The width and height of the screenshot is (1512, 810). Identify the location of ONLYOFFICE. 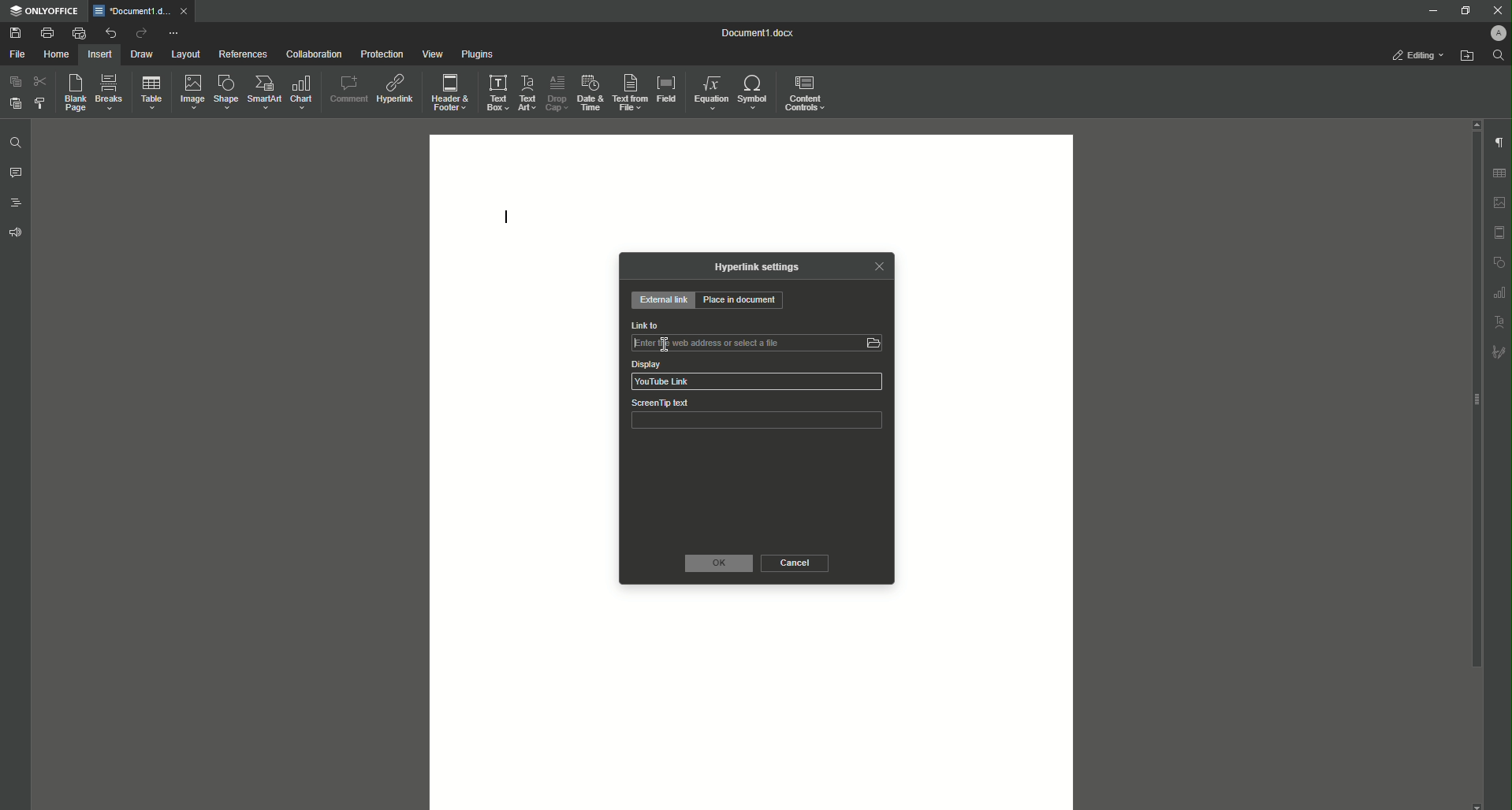
(44, 12).